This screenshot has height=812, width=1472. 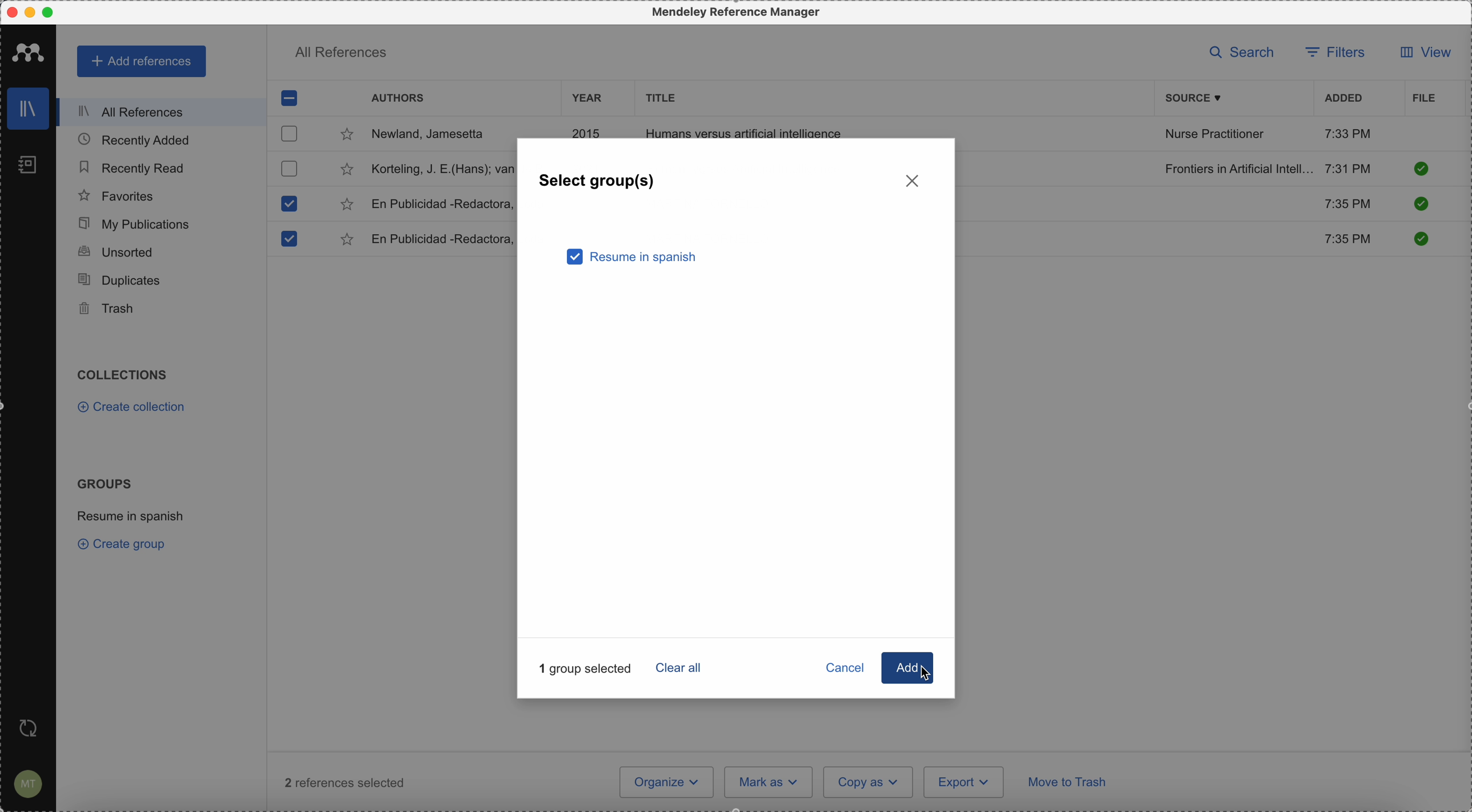 What do you see at coordinates (1419, 238) in the screenshot?
I see `check it` at bounding box center [1419, 238].